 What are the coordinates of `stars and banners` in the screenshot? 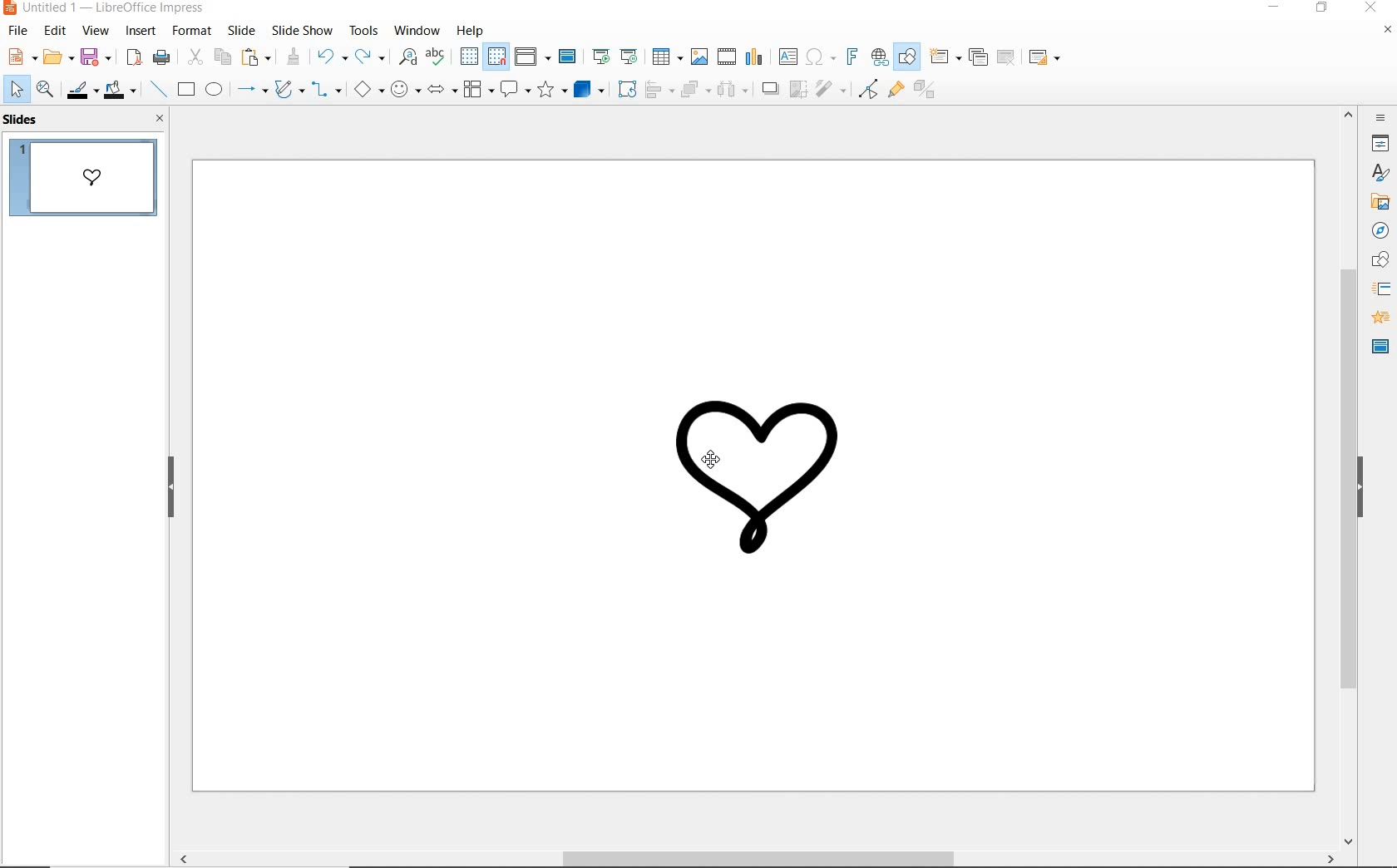 It's located at (550, 89).